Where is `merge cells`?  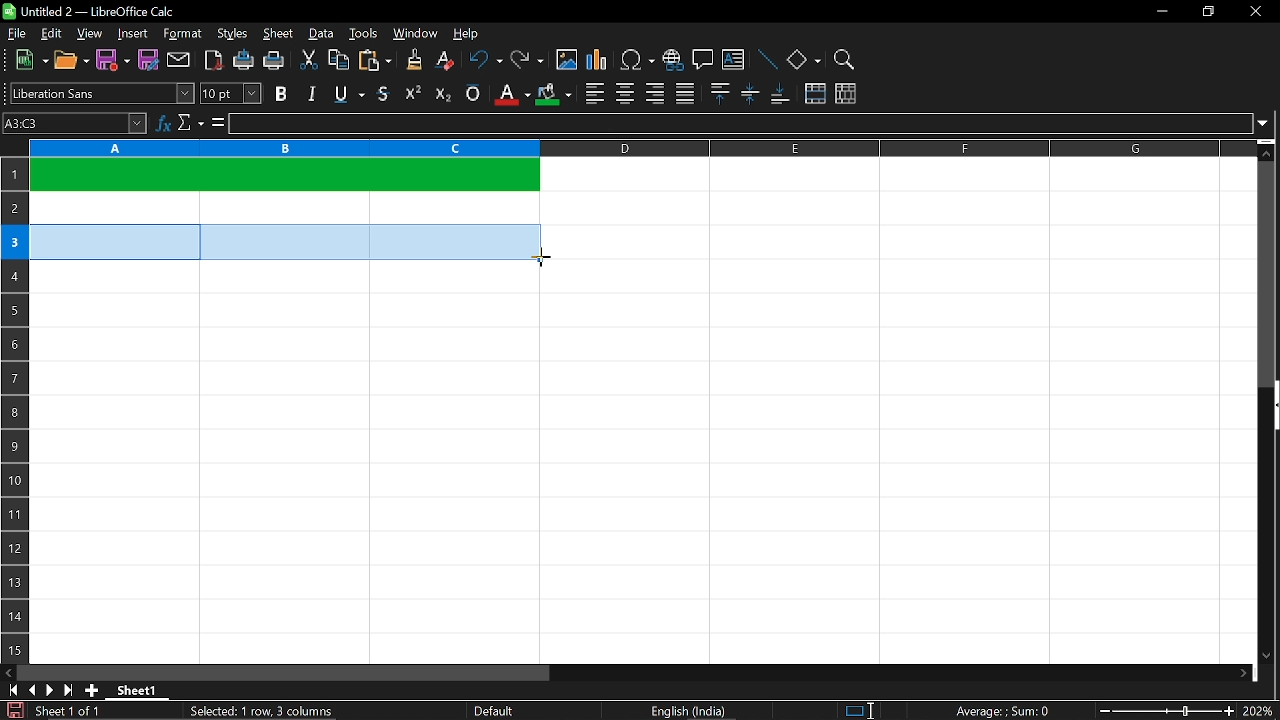 merge cells is located at coordinates (815, 94).